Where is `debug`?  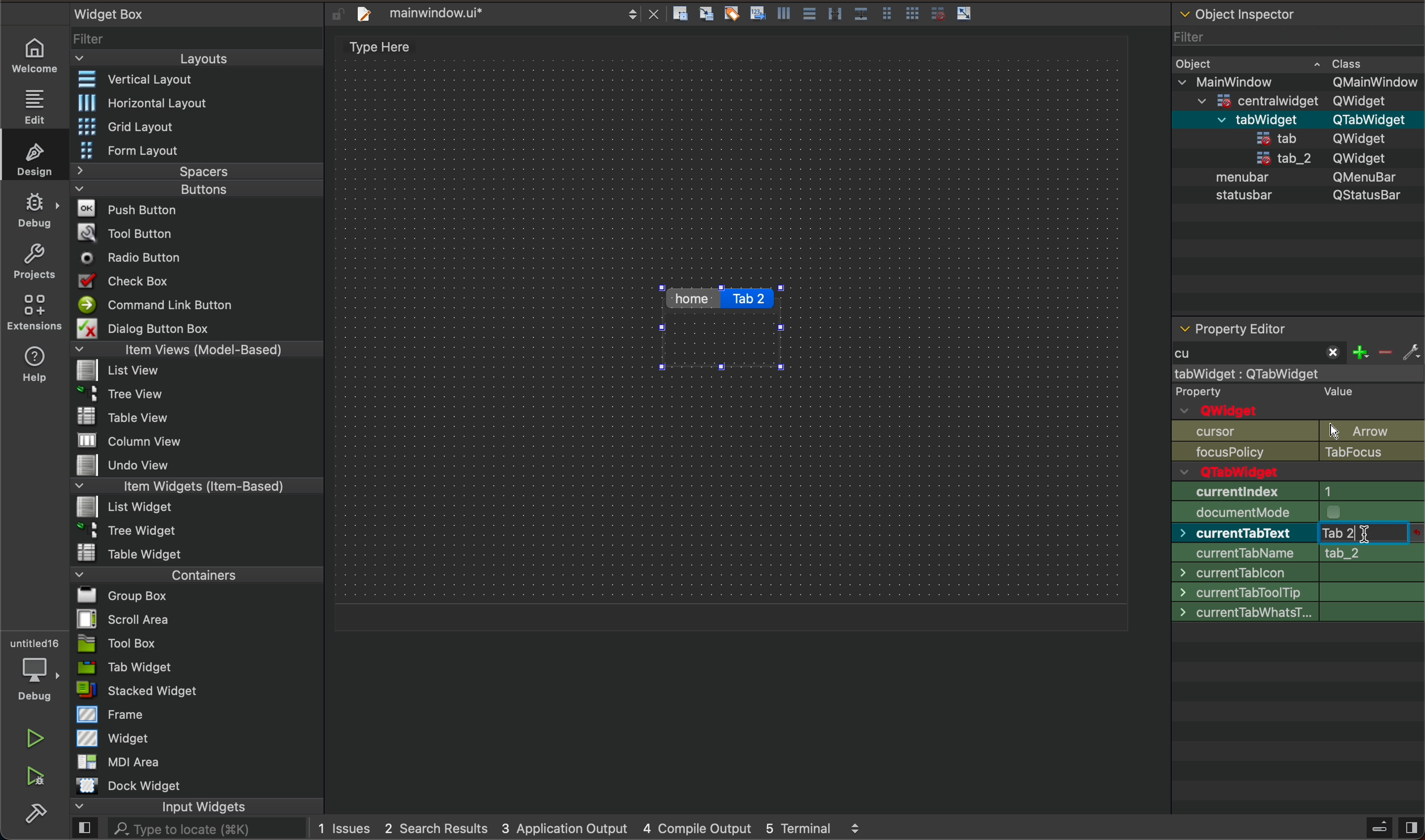 debug is located at coordinates (35, 209).